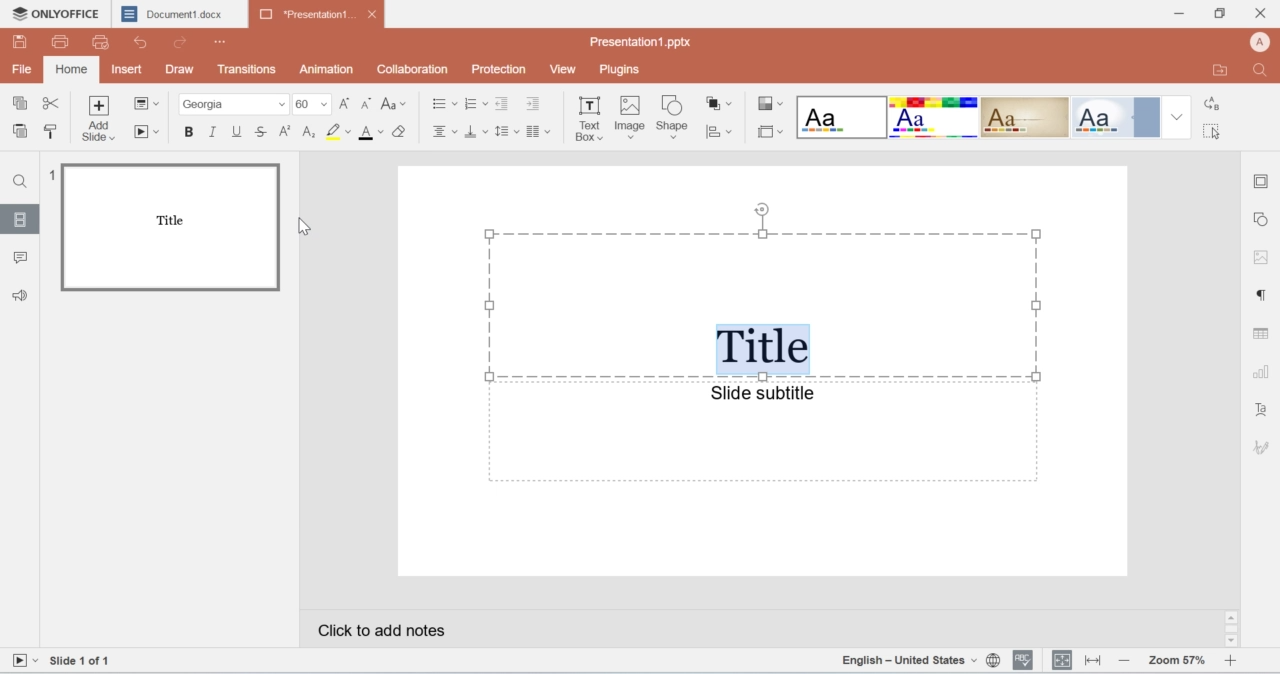 The height and width of the screenshot is (674, 1280). What do you see at coordinates (181, 68) in the screenshot?
I see `draw` at bounding box center [181, 68].